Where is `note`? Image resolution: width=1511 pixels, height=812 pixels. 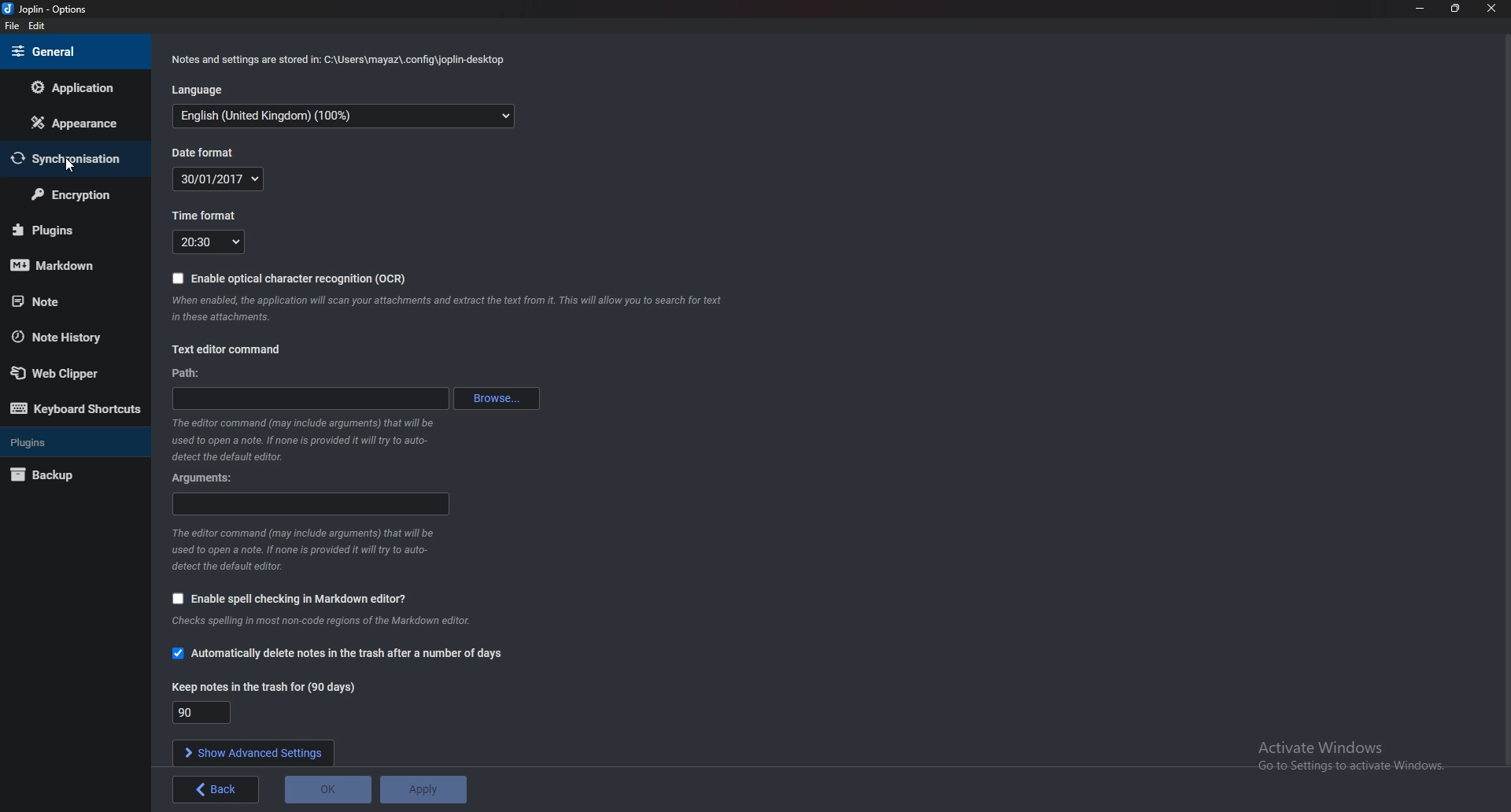
note is located at coordinates (59, 301).